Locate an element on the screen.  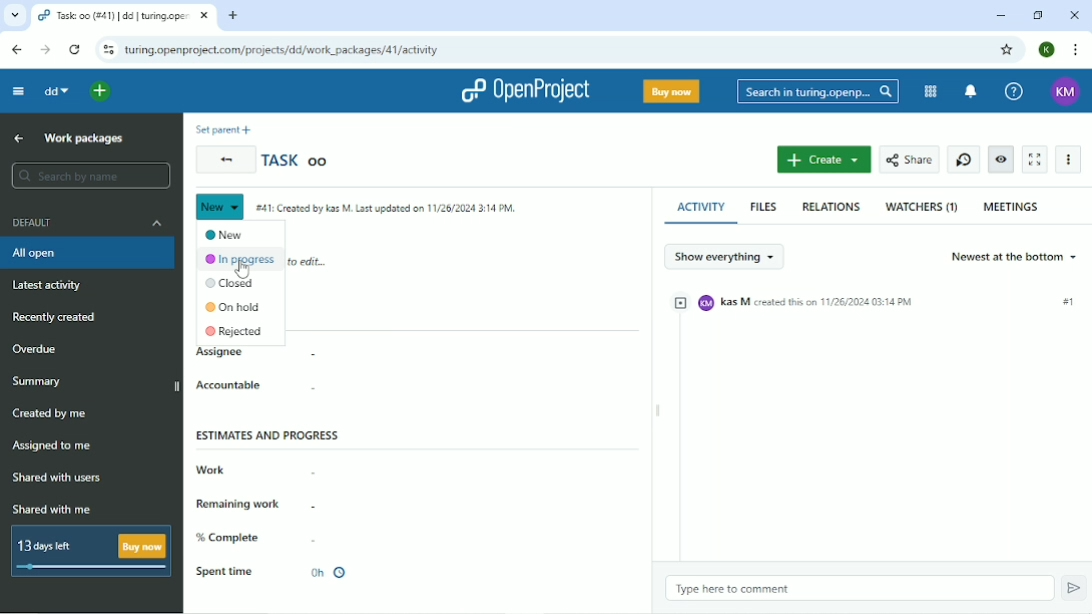
Collapse project menu is located at coordinates (17, 91).